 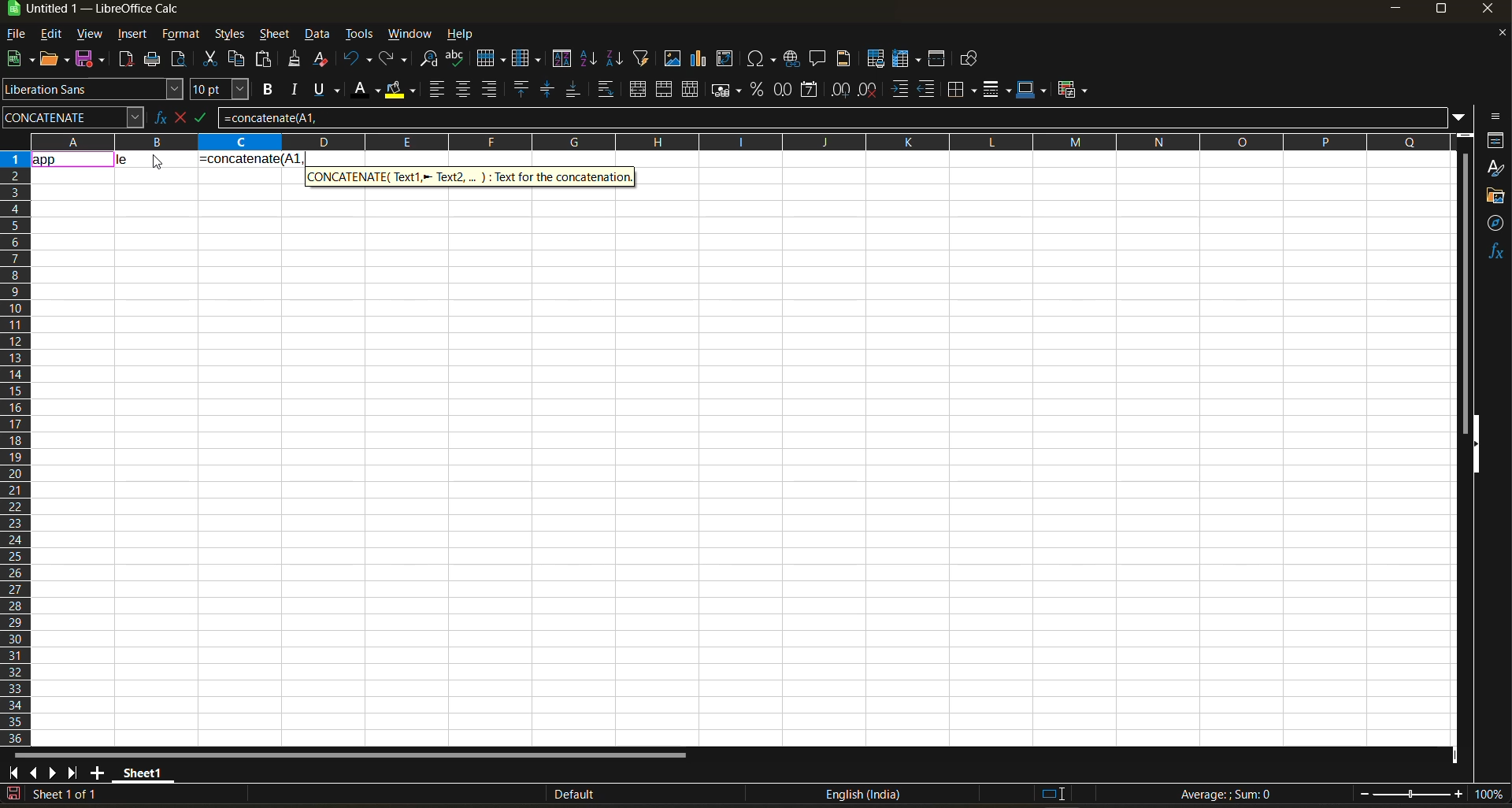 What do you see at coordinates (1493, 117) in the screenshot?
I see `sidebar settings` at bounding box center [1493, 117].